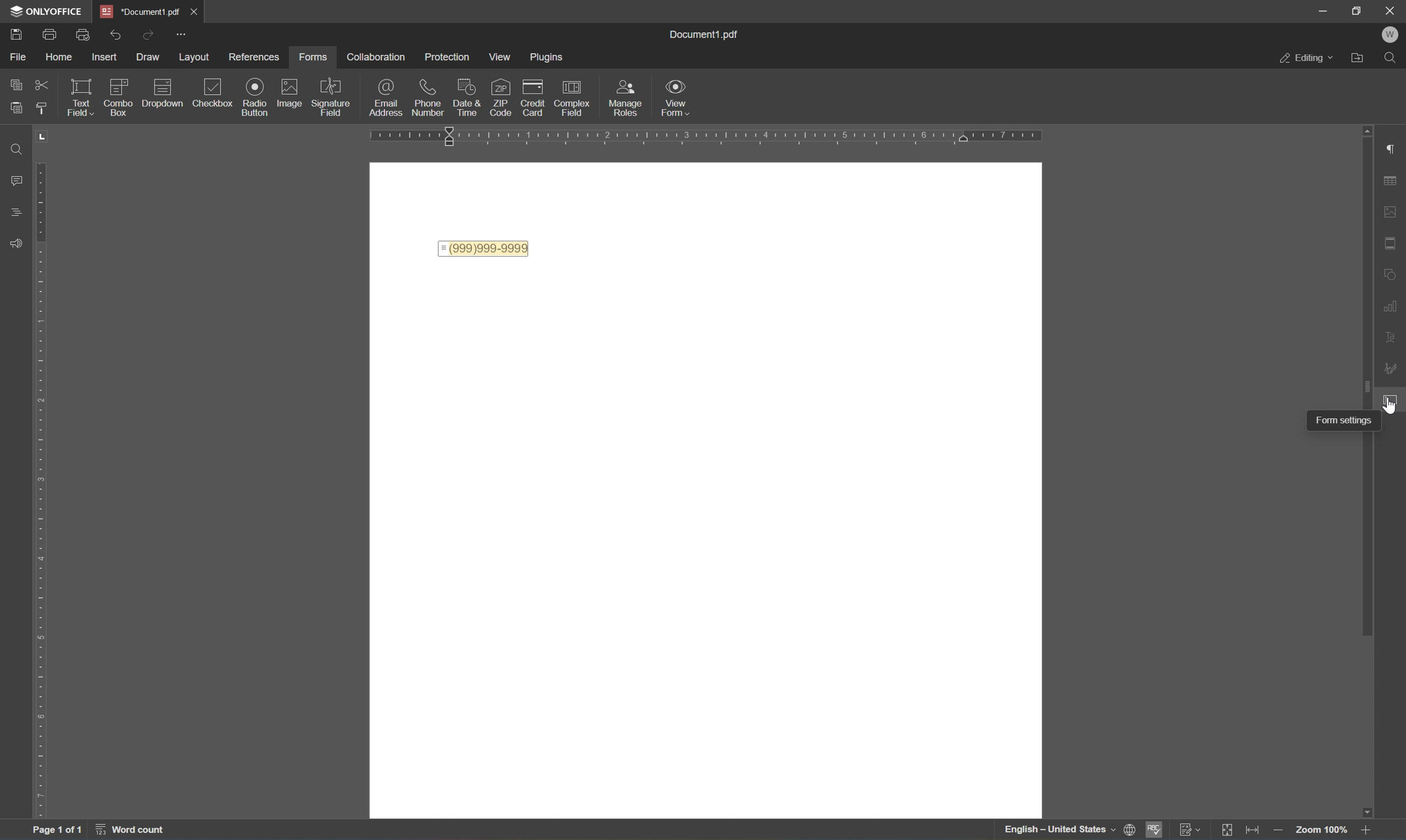 This screenshot has height=840, width=1406. What do you see at coordinates (1306, 58) in the screenshot?
I see `editing` at bounding box center [1306, 58].